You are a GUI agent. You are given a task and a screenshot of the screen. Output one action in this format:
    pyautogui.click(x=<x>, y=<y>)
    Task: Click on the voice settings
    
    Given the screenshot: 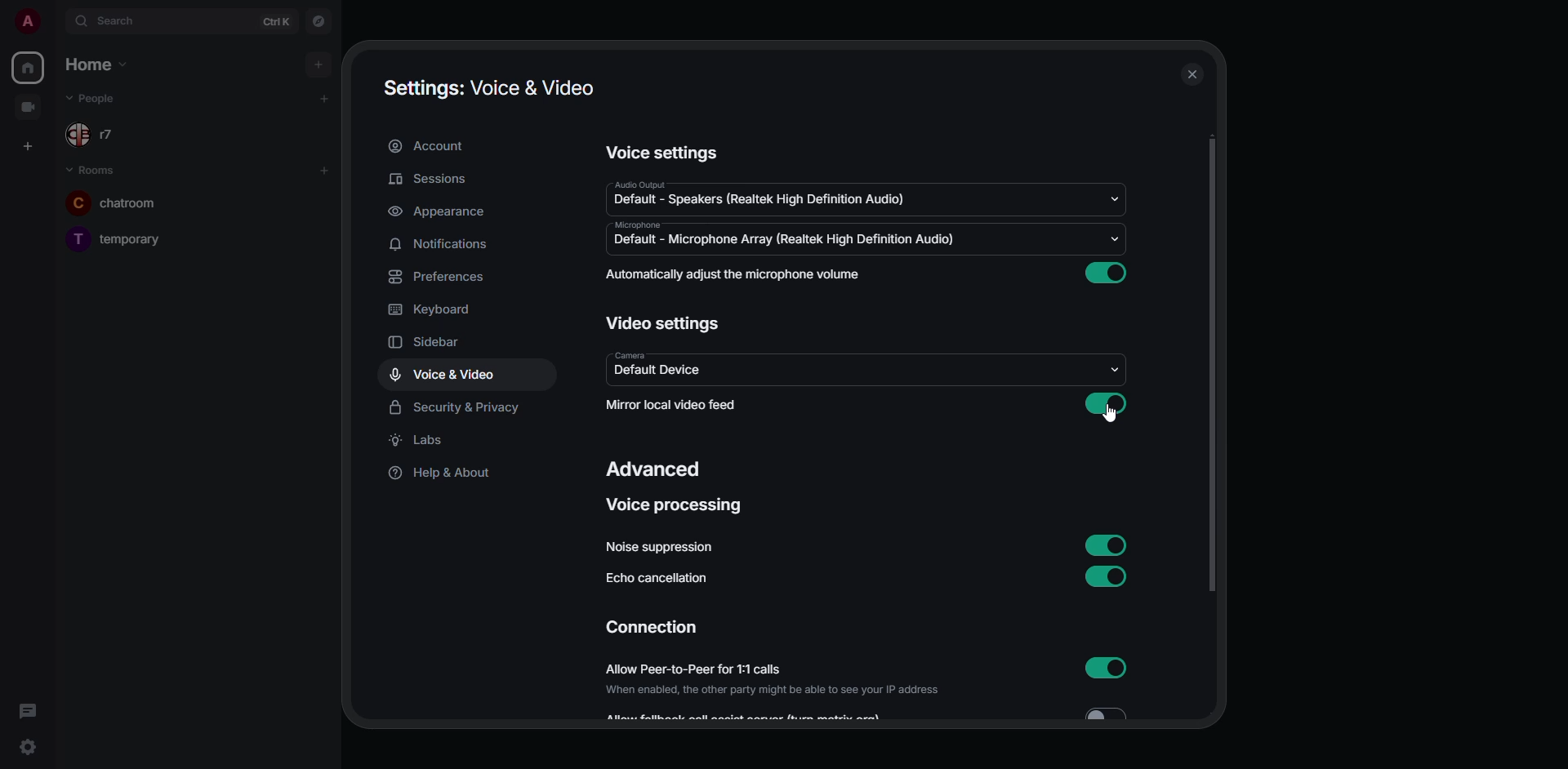 What is the action you would take?
    pyautogui.click(x=667, y=150)
    